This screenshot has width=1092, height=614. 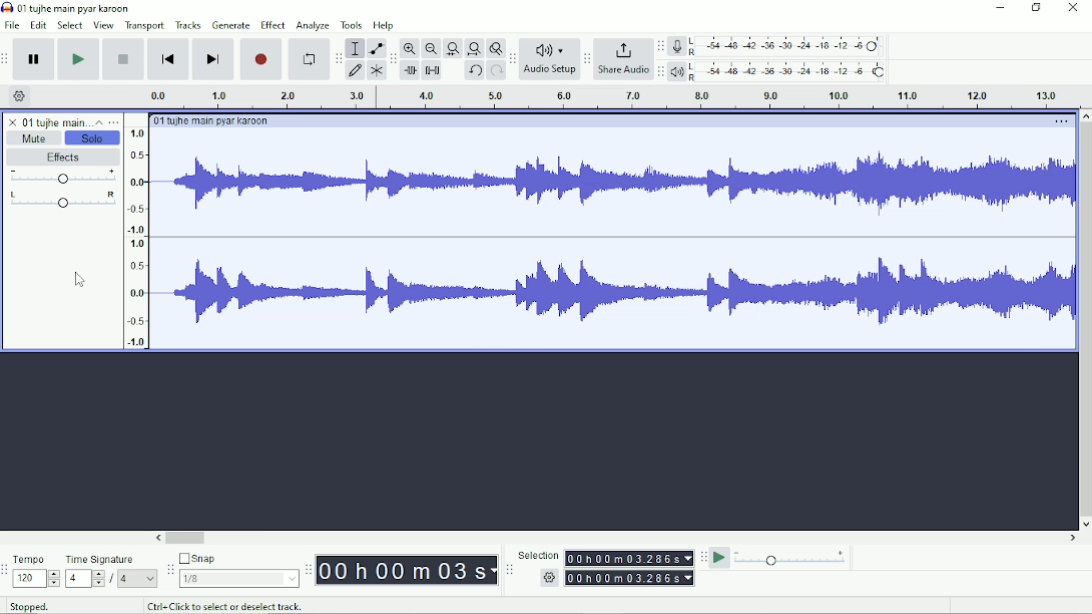 I want to click on 01 Tujhe main pyar karoon, so click(x=69, y=7).